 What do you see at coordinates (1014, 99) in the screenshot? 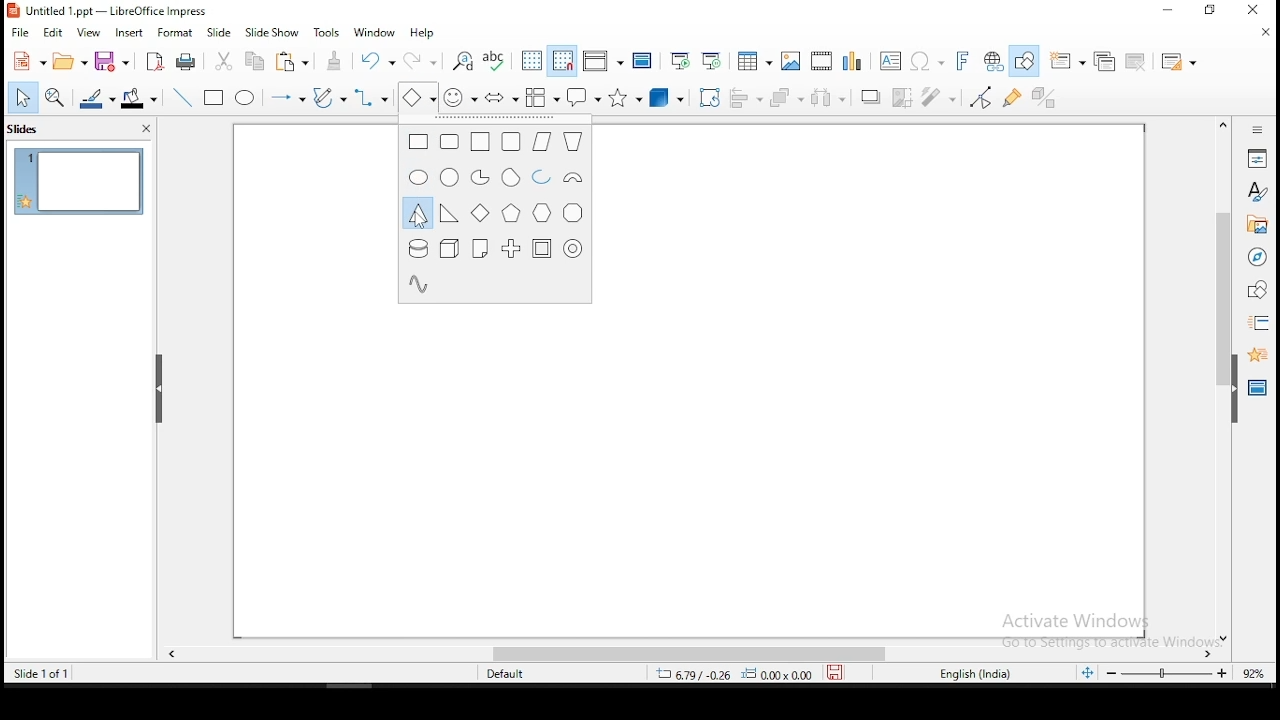
I see `show gluepoint functions` at bounding box center [1014, 99].